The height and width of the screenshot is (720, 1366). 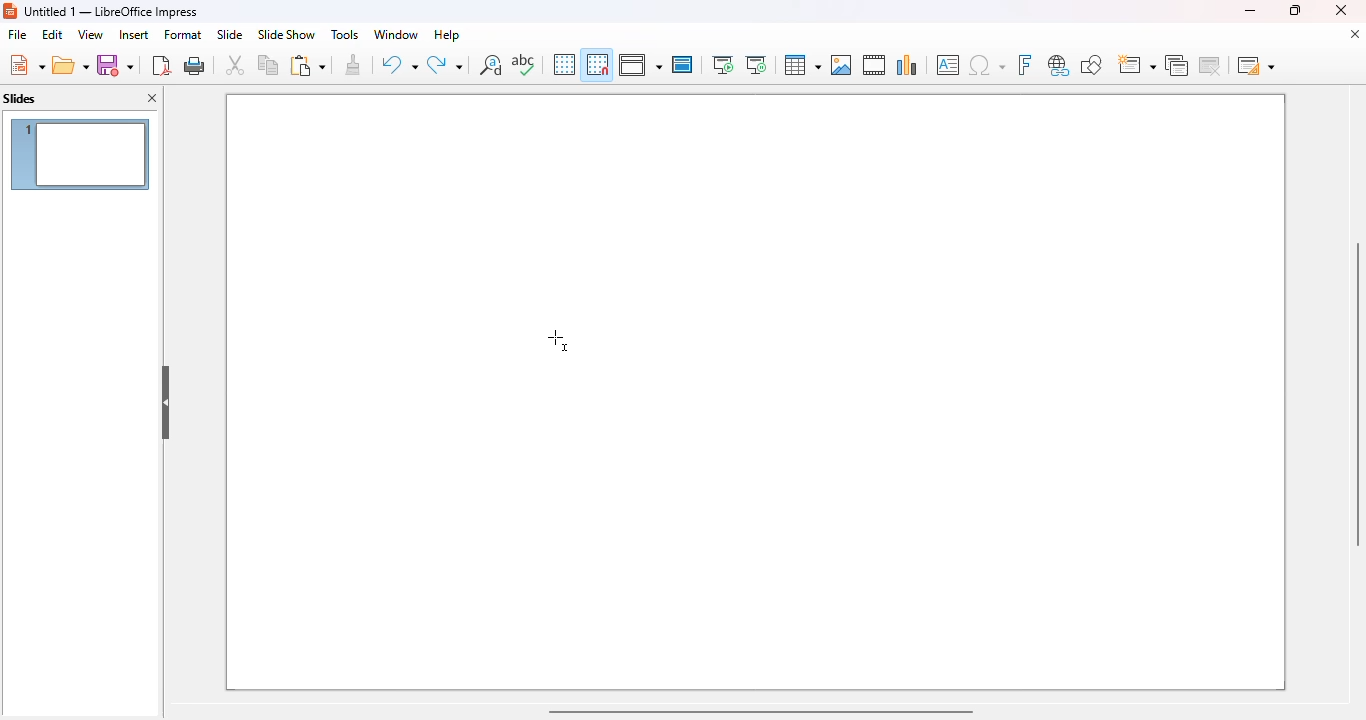 I want to click on export directly as PDF, so click(x=161, y=65).